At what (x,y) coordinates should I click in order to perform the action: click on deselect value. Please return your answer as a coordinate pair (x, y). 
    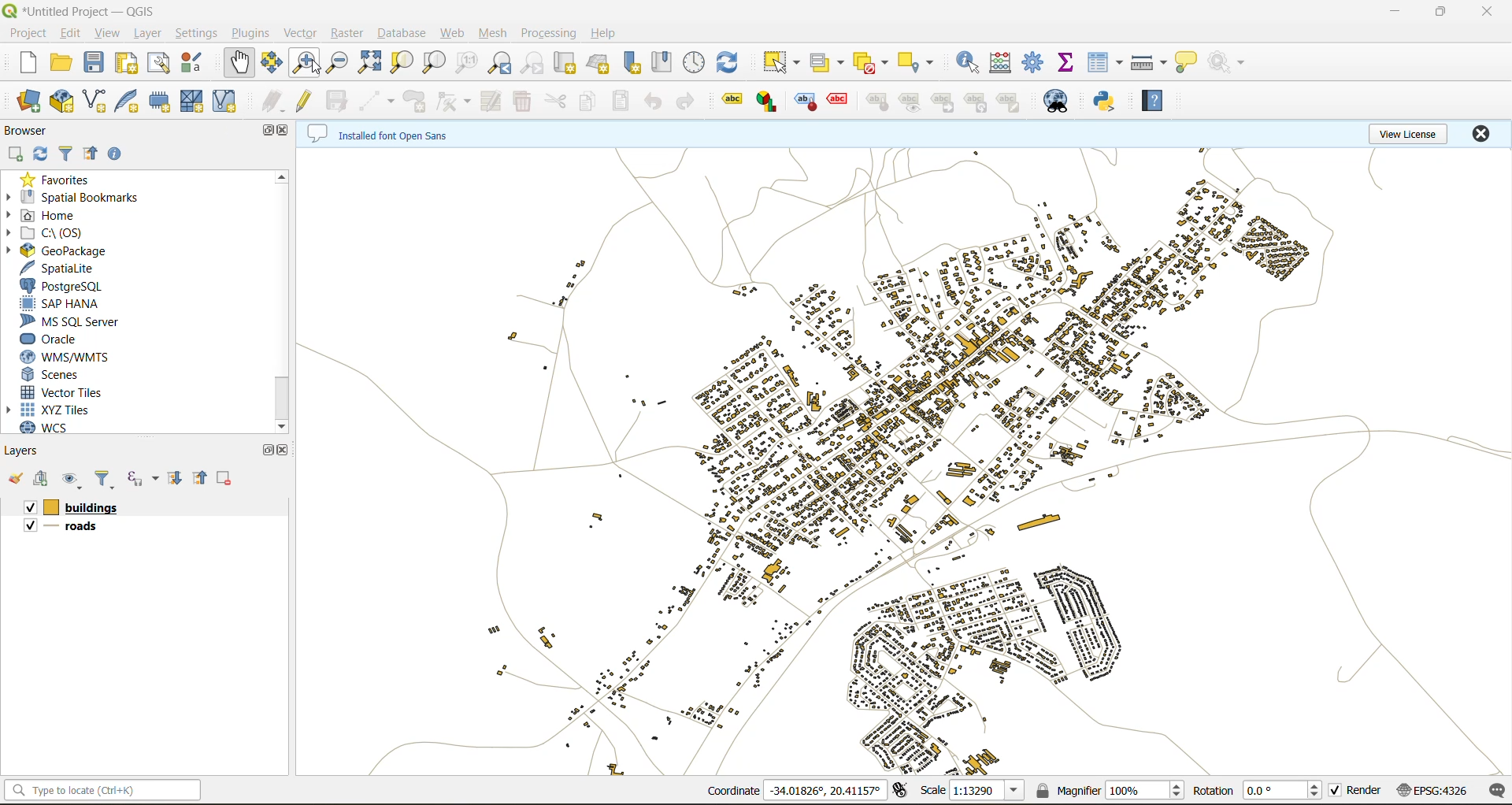
    Looking at the image, I should click on (873, 61).